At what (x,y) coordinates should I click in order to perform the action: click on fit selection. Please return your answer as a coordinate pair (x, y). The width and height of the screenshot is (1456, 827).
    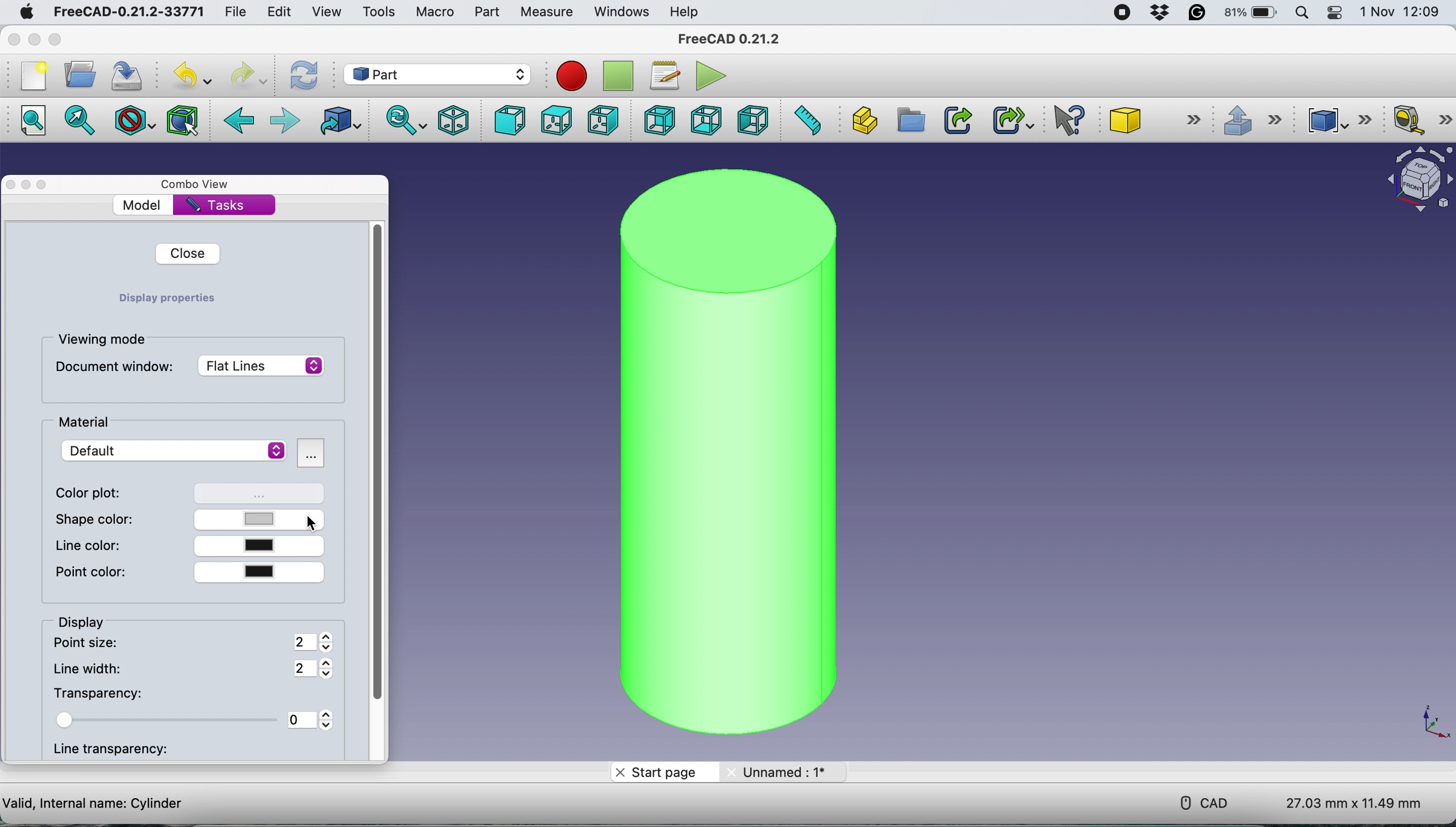
    Looking at the image, I should click on (80, 122).